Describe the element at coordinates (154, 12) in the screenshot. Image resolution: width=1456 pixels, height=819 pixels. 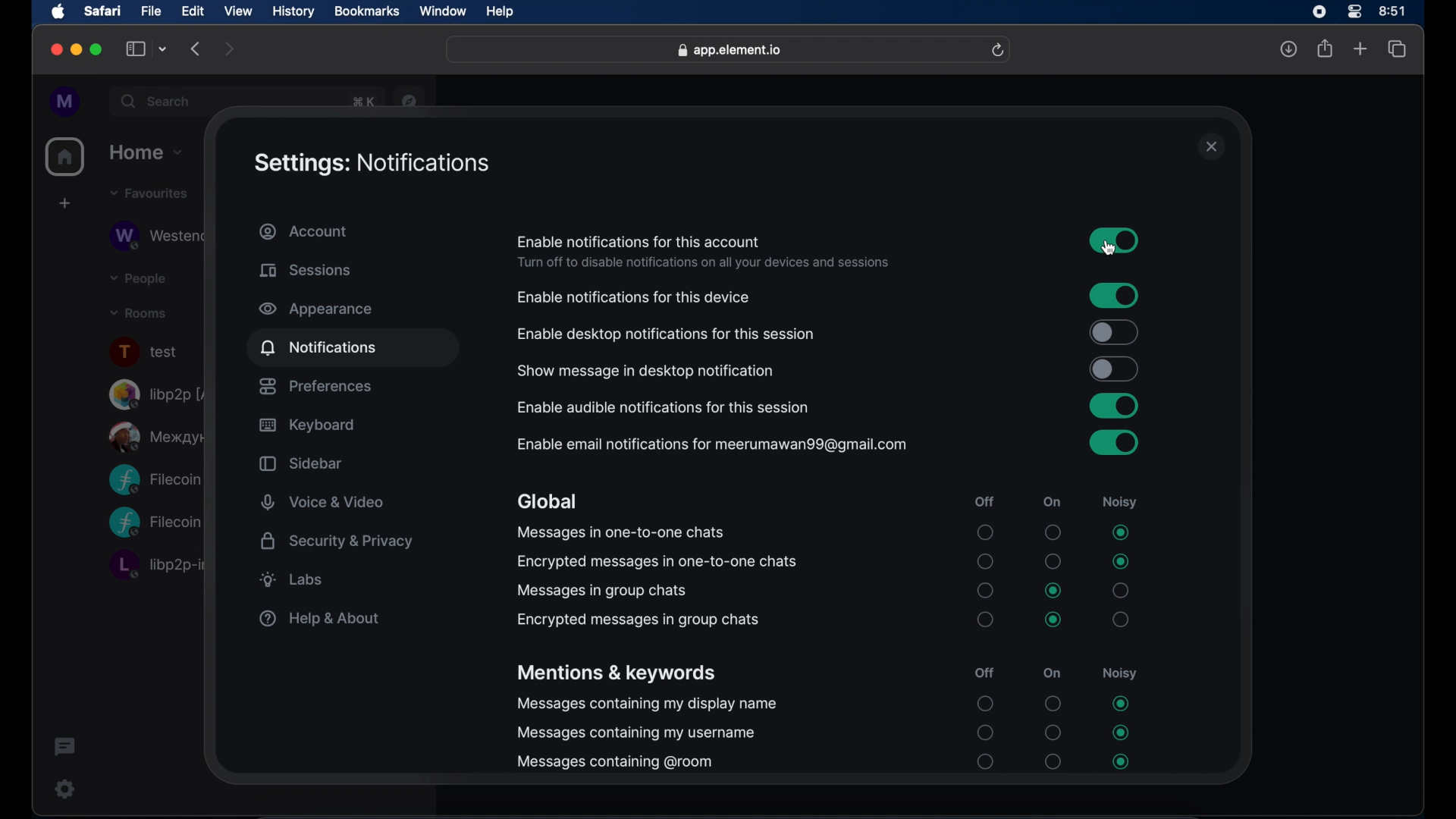
I see `file` at that location.